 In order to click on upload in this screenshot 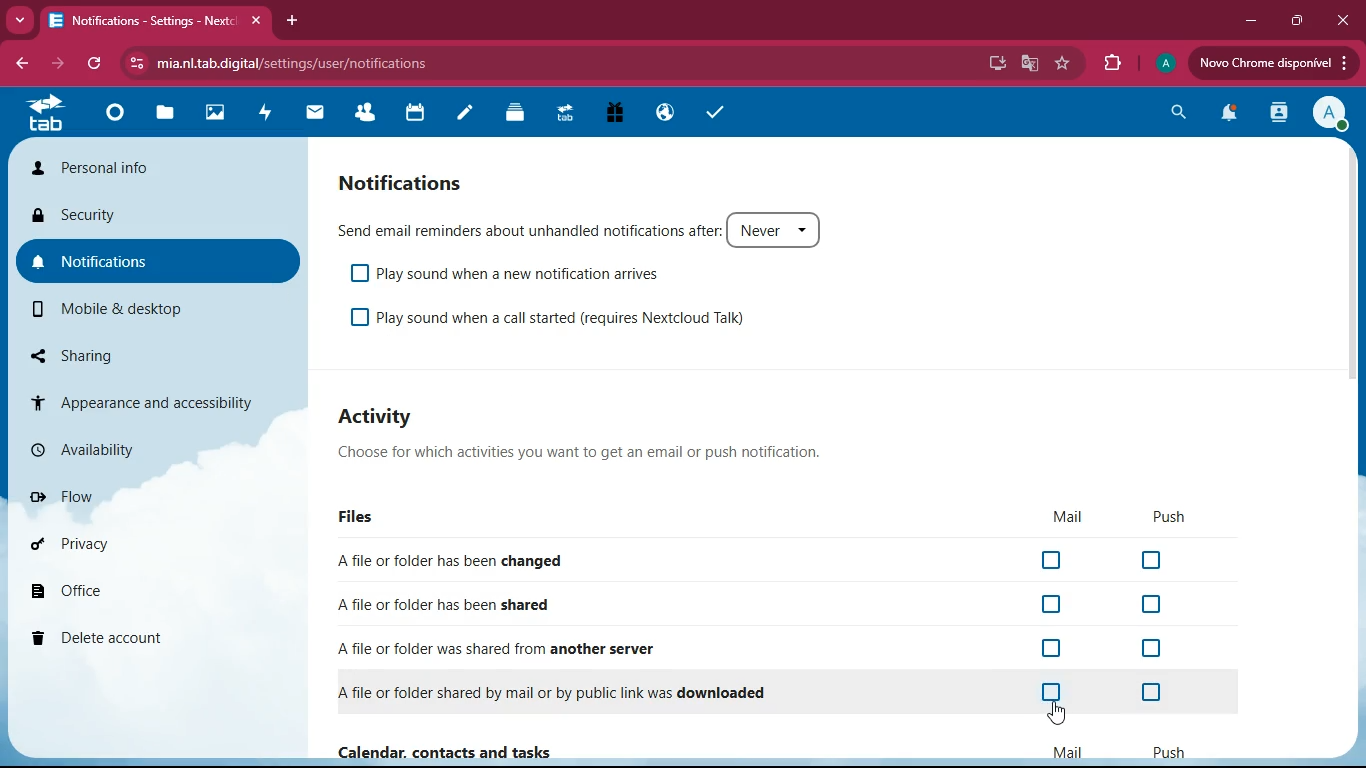, I will do `click(1274, 65)`.